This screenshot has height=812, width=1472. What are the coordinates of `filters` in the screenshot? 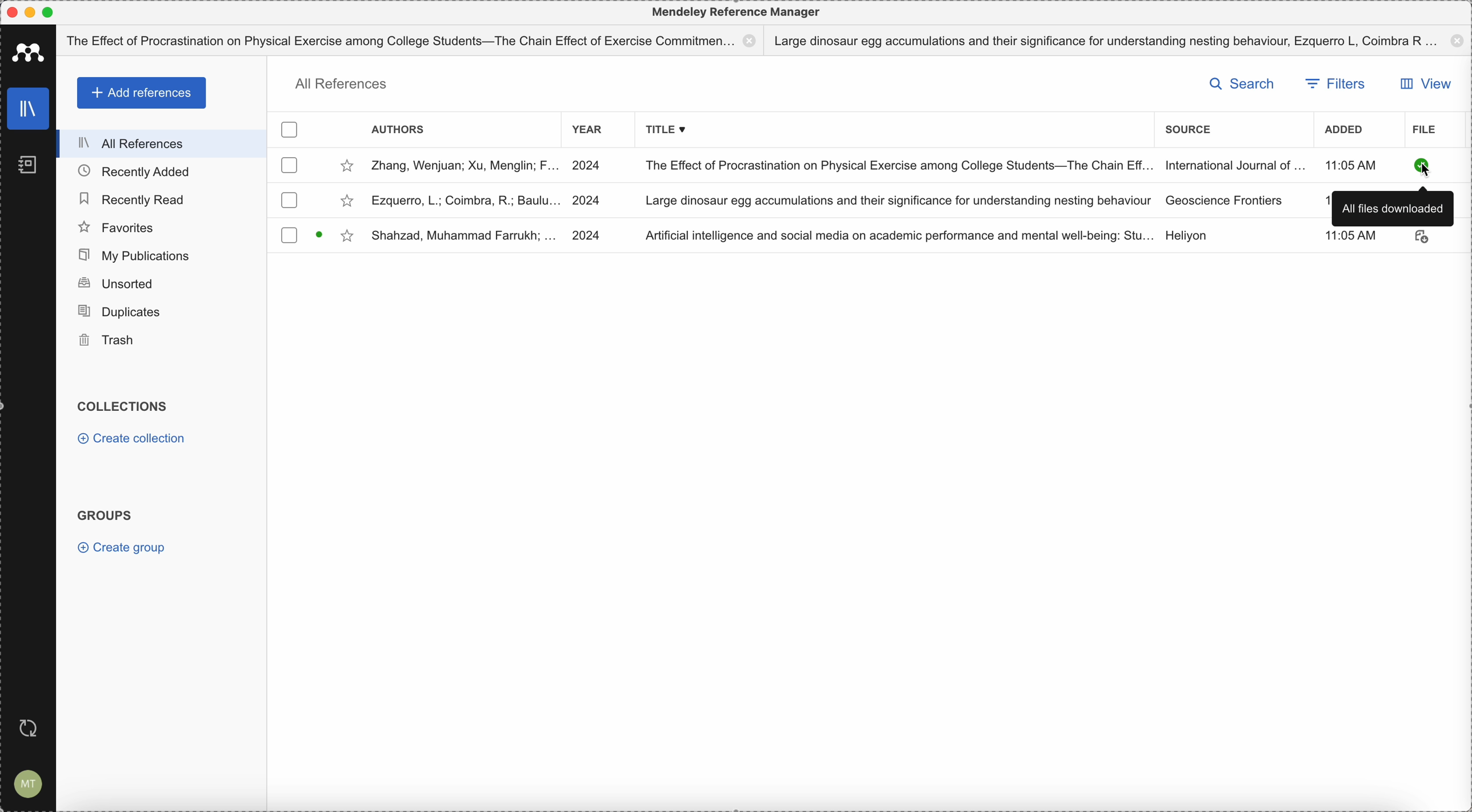 It's located at (1336, 85).